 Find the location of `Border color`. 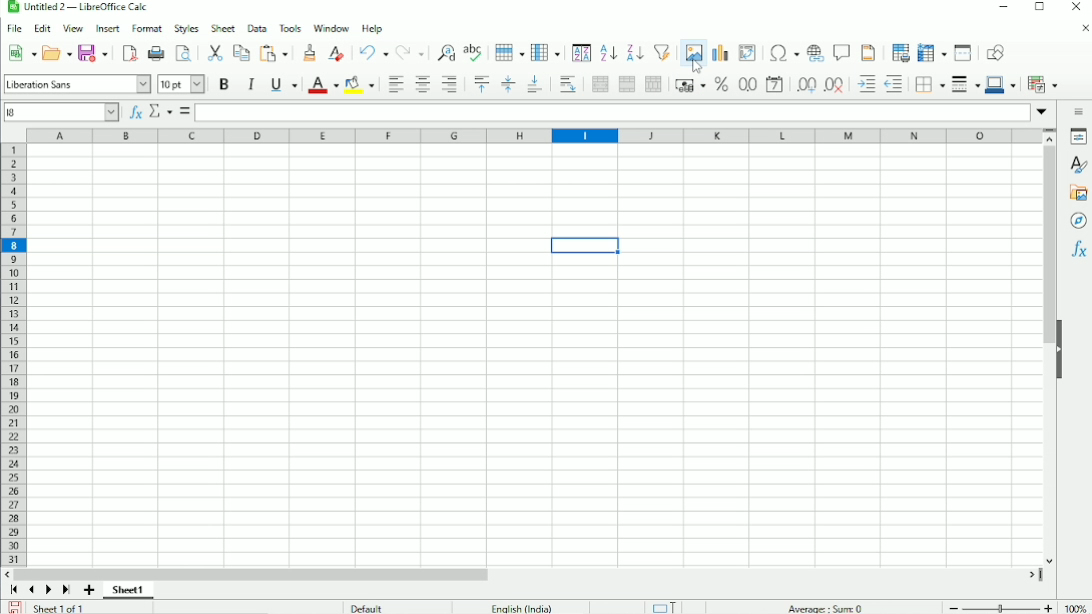

Border color is located at coordinates (1002, 86).